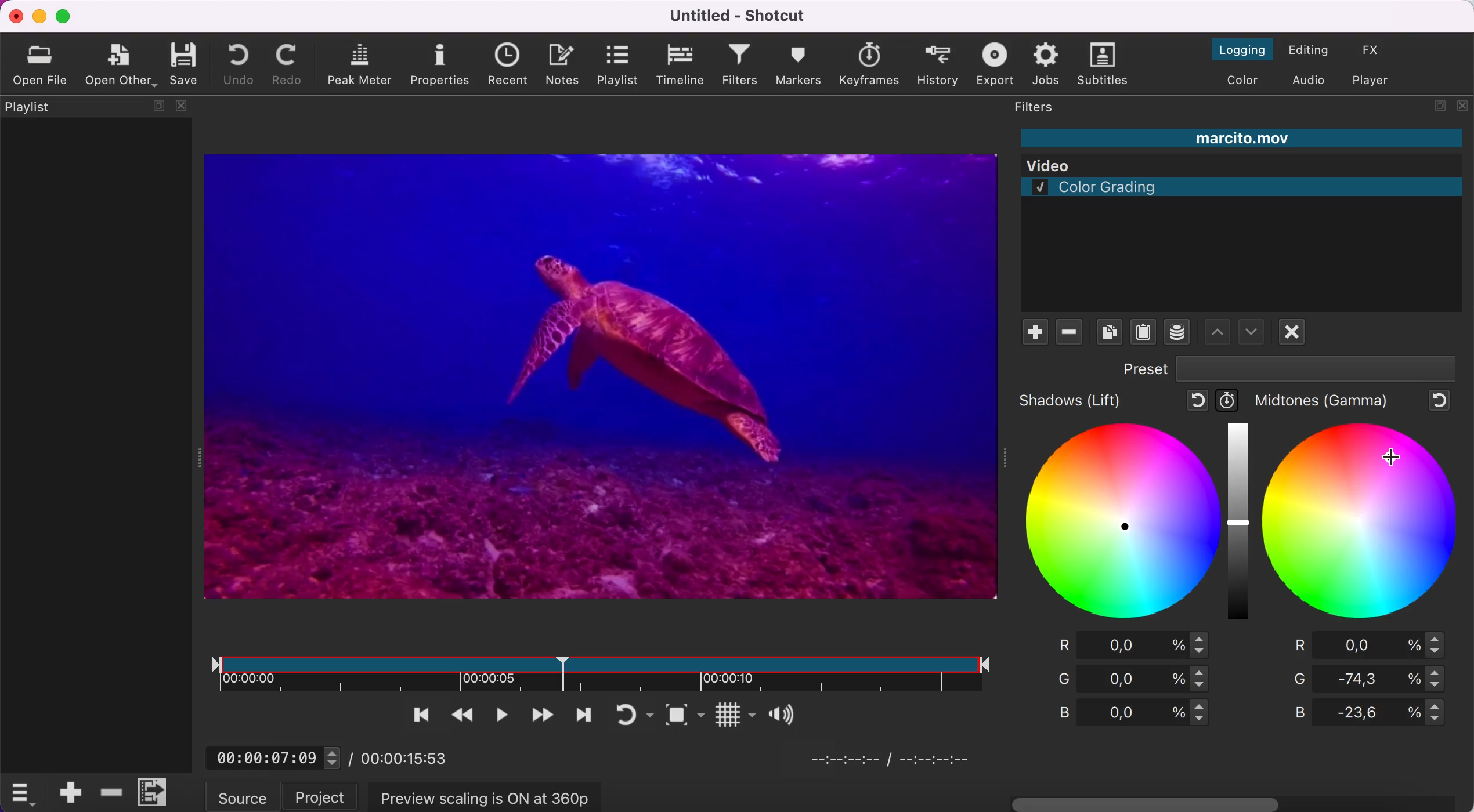 This screenshot has height=812, width=1474. I want to click on switch to the effect layout, so click(1383, 50).